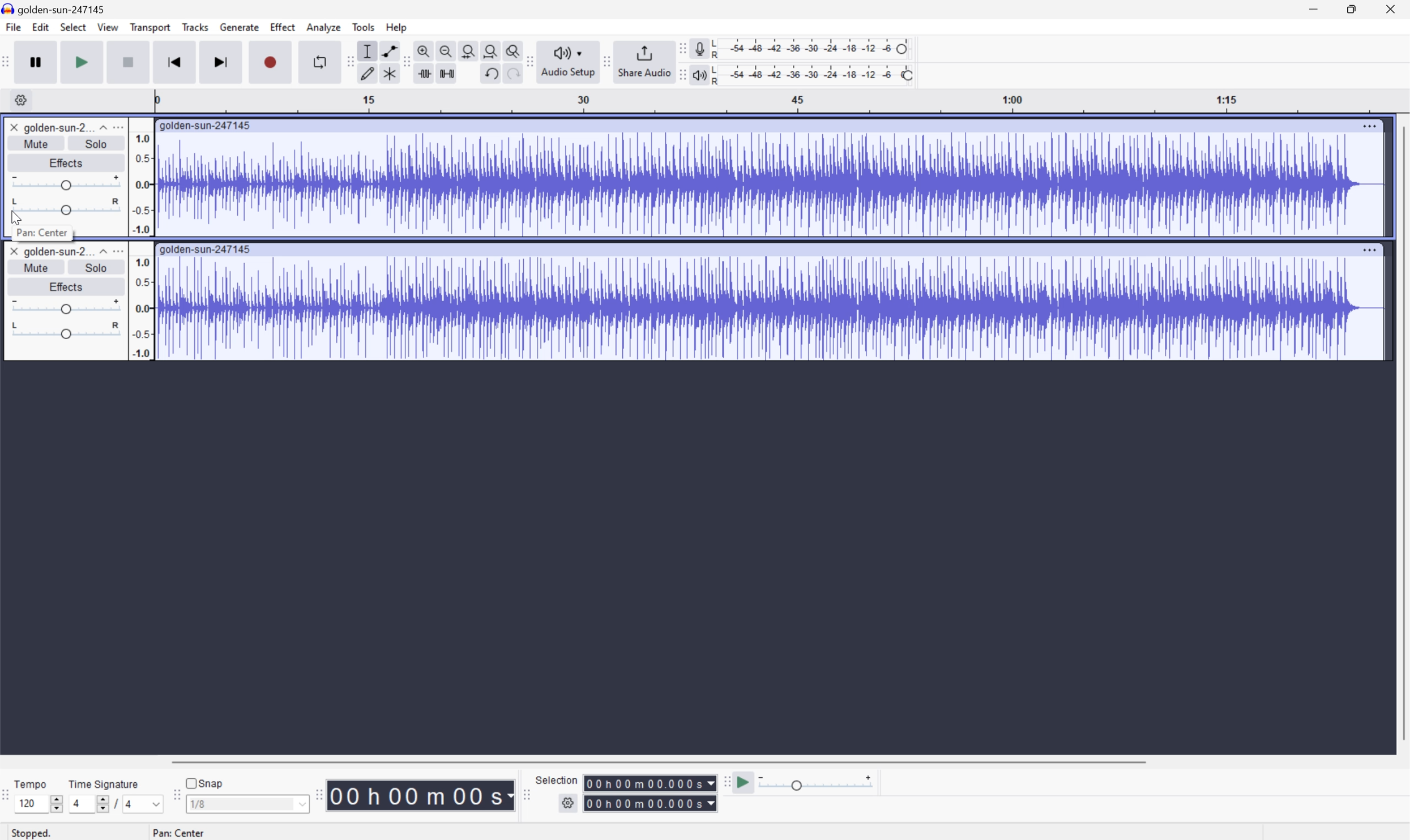 This screenshot has height=840, width=1410. What do you see at coordinates (85, 62) in the screenshot?
I see `Play` at bounding box center [85, 62].